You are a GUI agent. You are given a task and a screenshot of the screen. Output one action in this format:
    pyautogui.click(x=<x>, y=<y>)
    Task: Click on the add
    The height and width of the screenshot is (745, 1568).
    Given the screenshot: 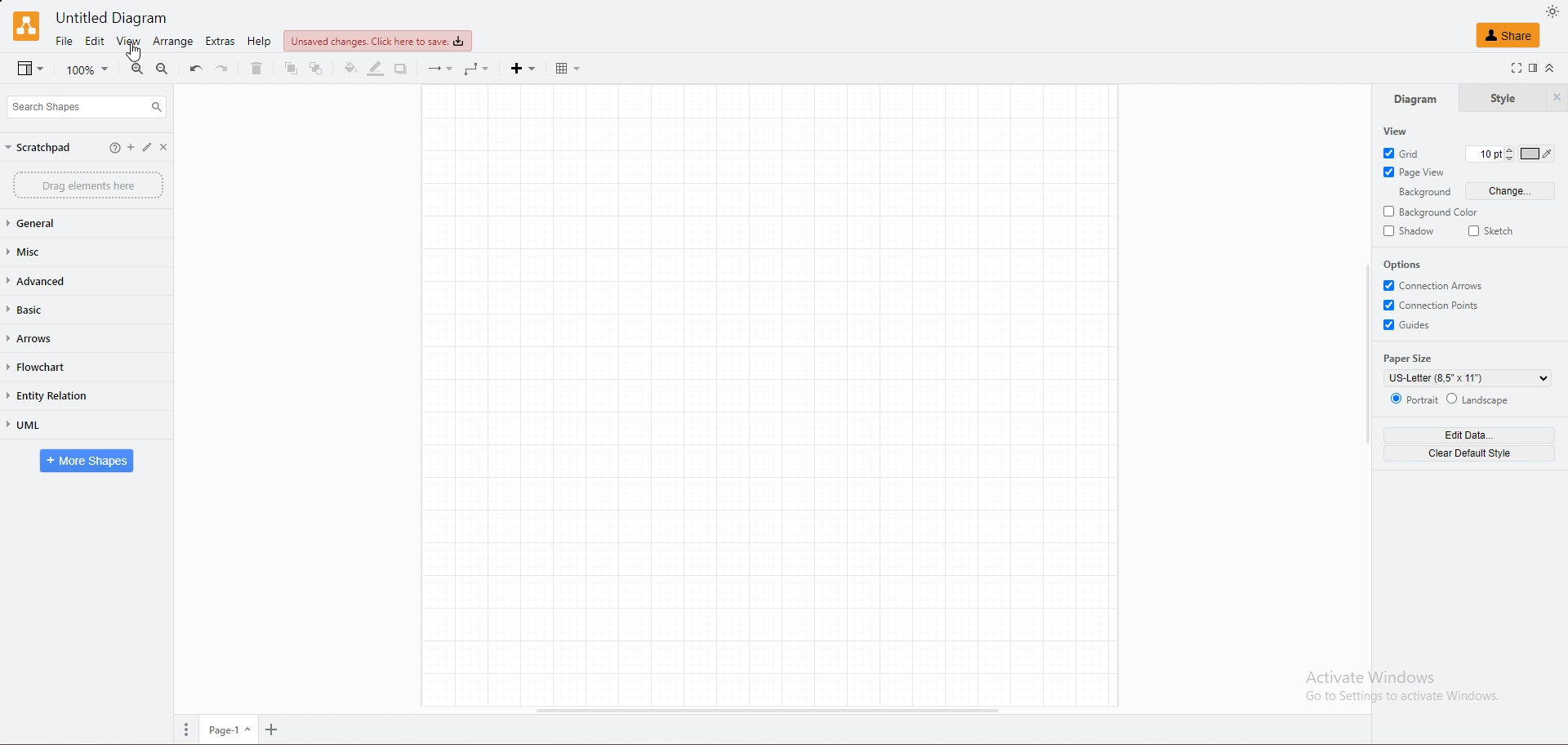 What is the action you would take?
    pyautogui.click(x=128, y=148)
    